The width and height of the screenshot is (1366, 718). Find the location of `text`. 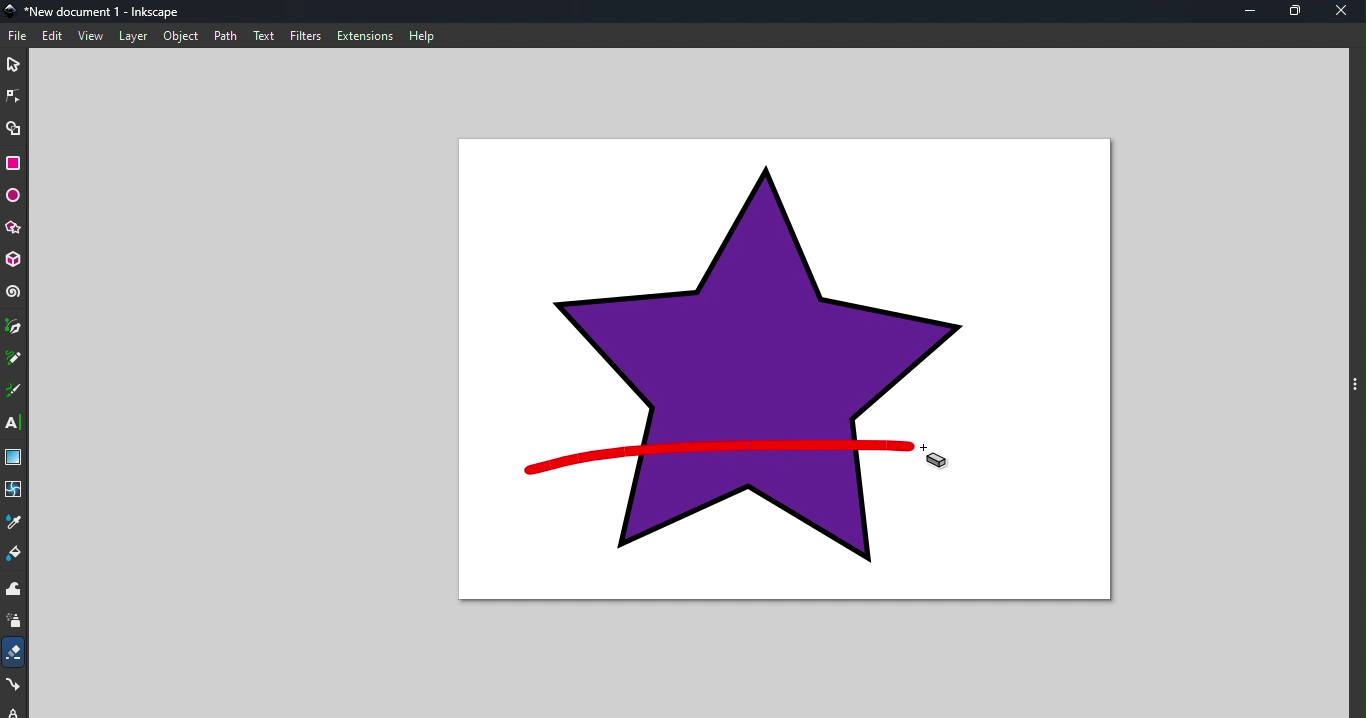

text is located at coordinates (265, 35).